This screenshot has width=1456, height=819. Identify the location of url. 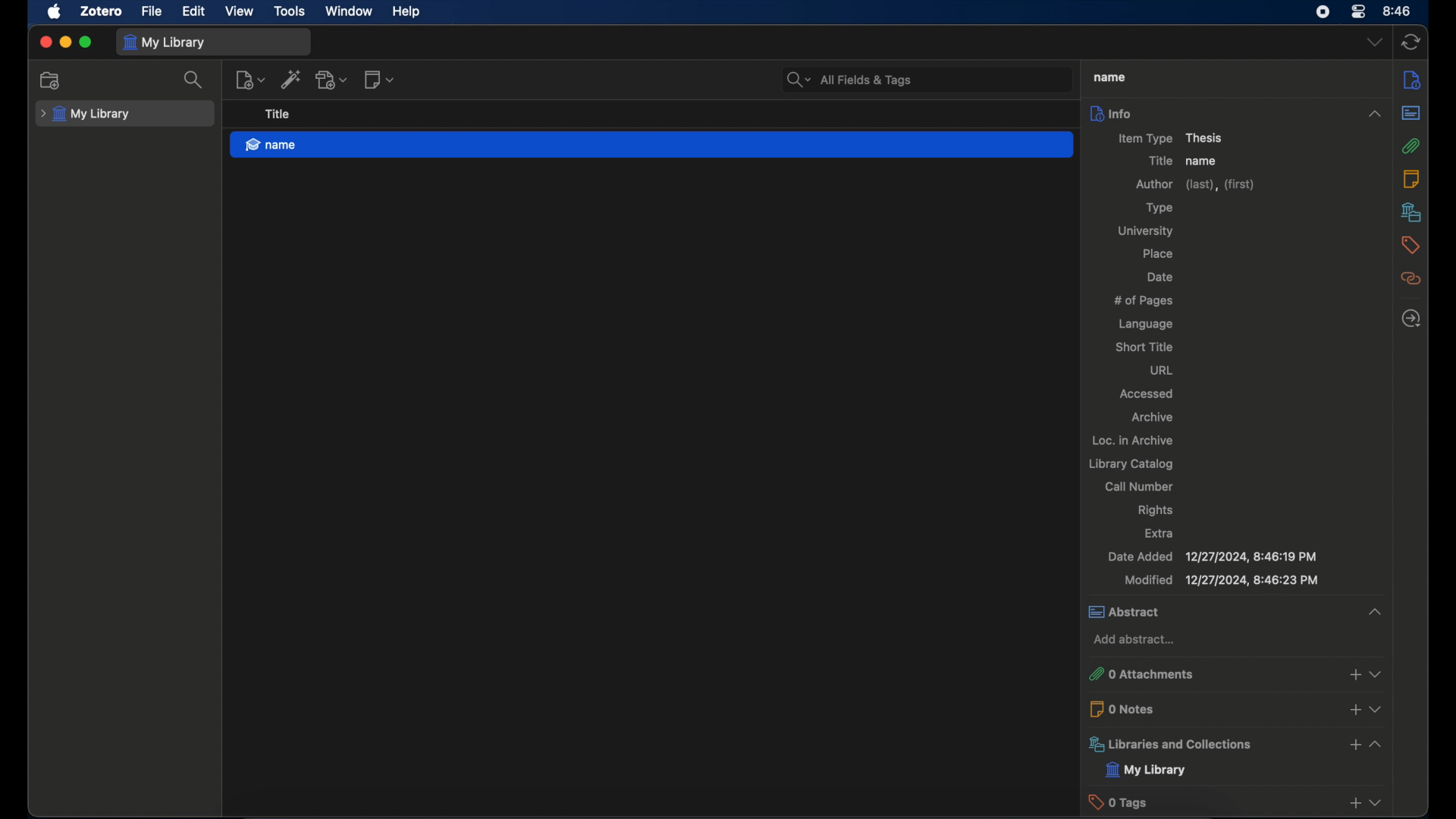
(1161, 371).